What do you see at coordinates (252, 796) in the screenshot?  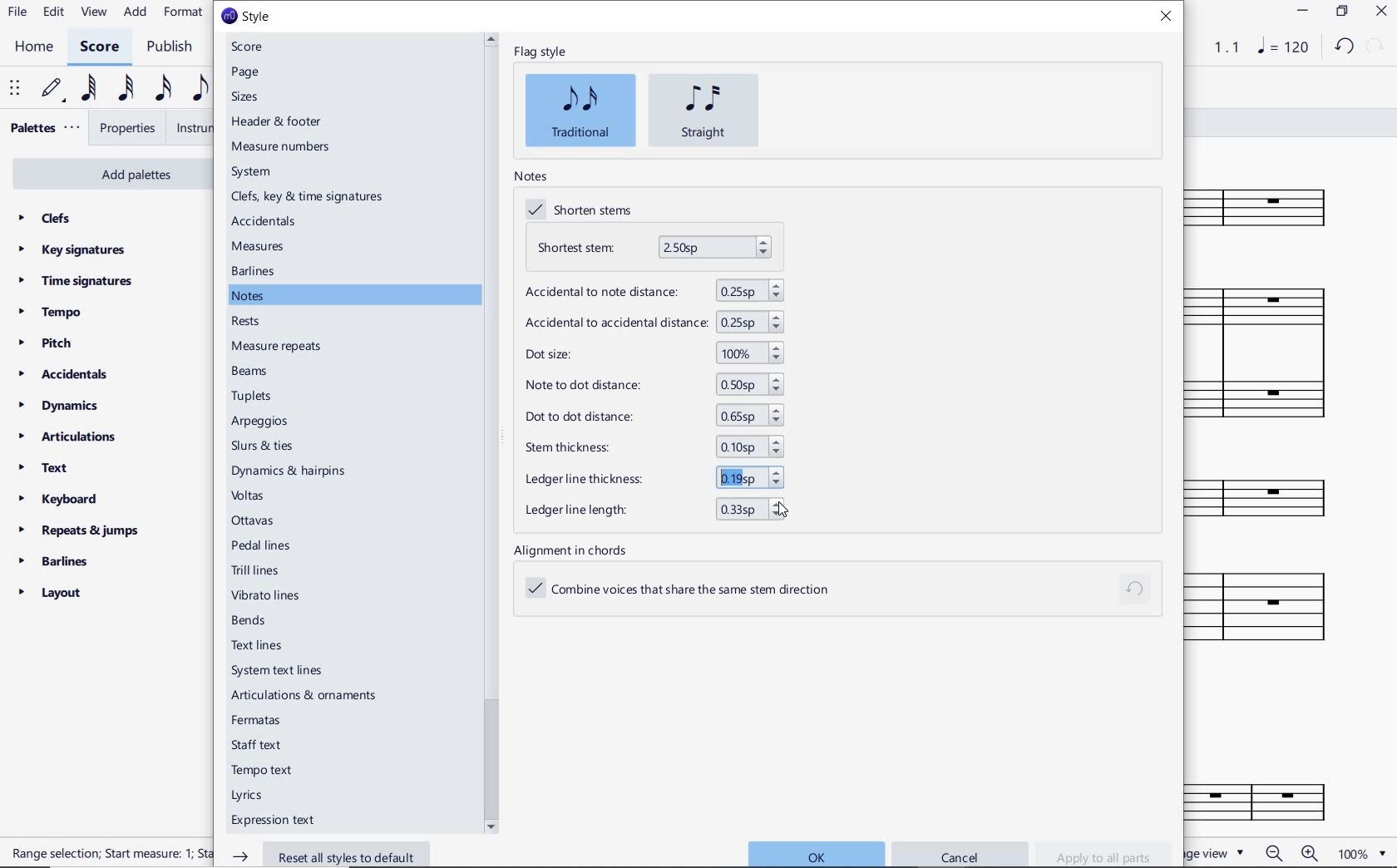 I see `lyrics` at bounding box center [252, 796].